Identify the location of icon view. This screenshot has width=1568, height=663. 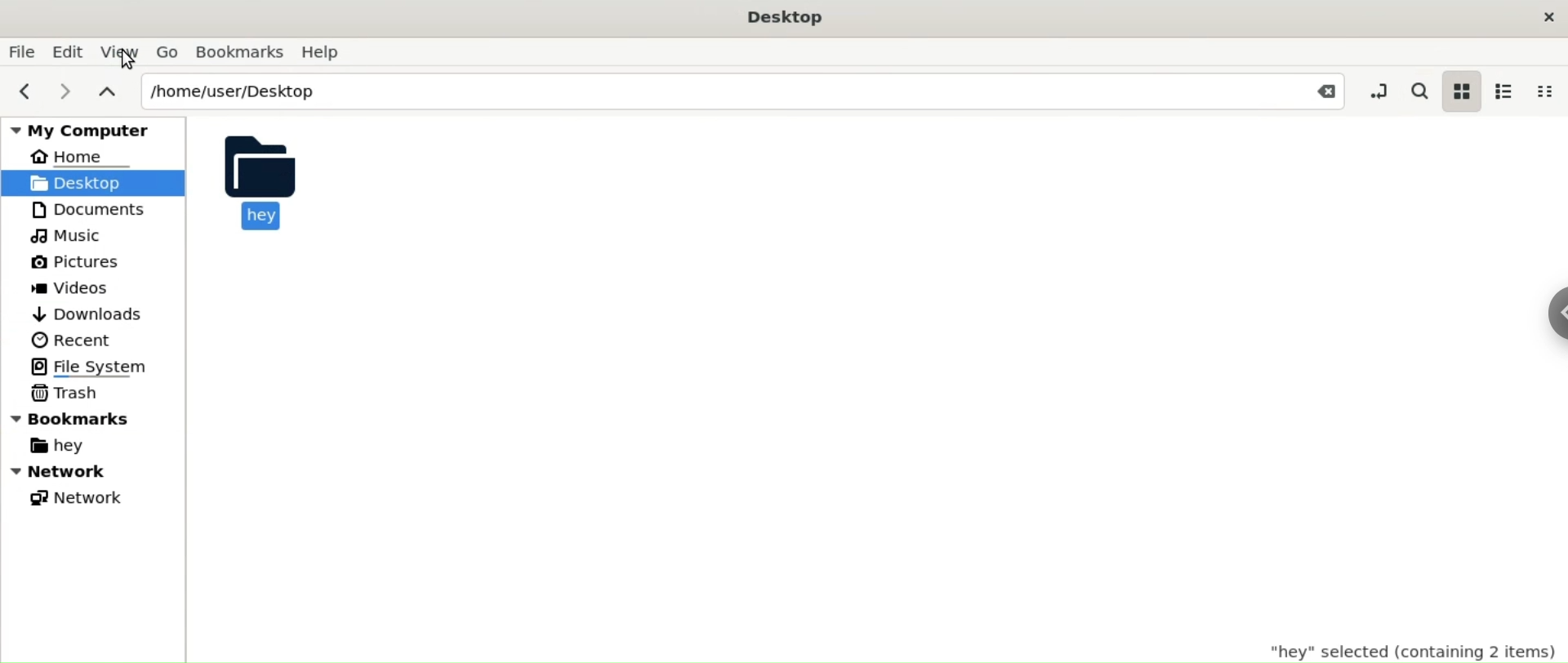
(1463, 91).